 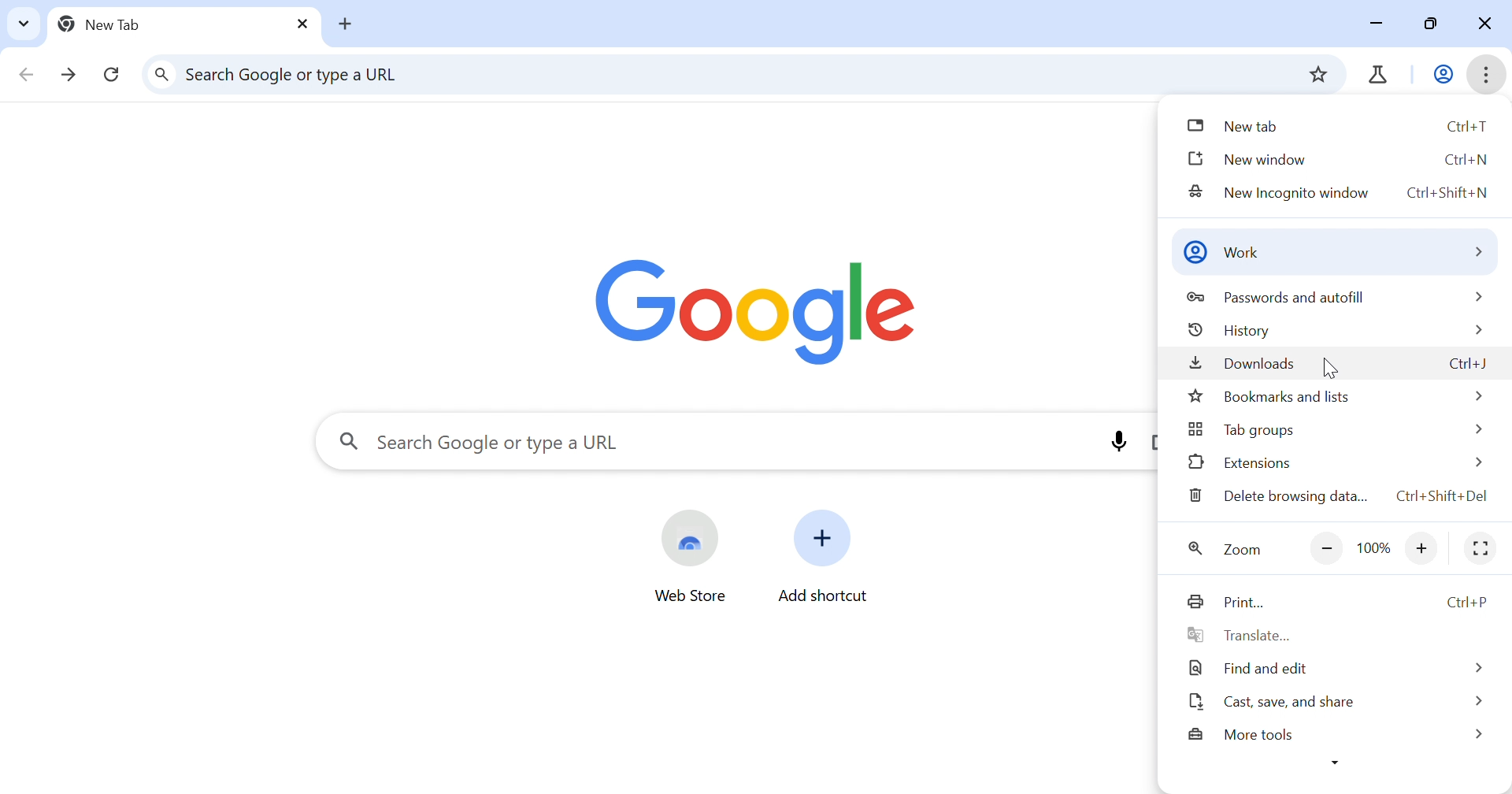 What do you see at coordinates (1481, 25) in the screenshot?
I see `Close` at bounding box center [1481, 25].